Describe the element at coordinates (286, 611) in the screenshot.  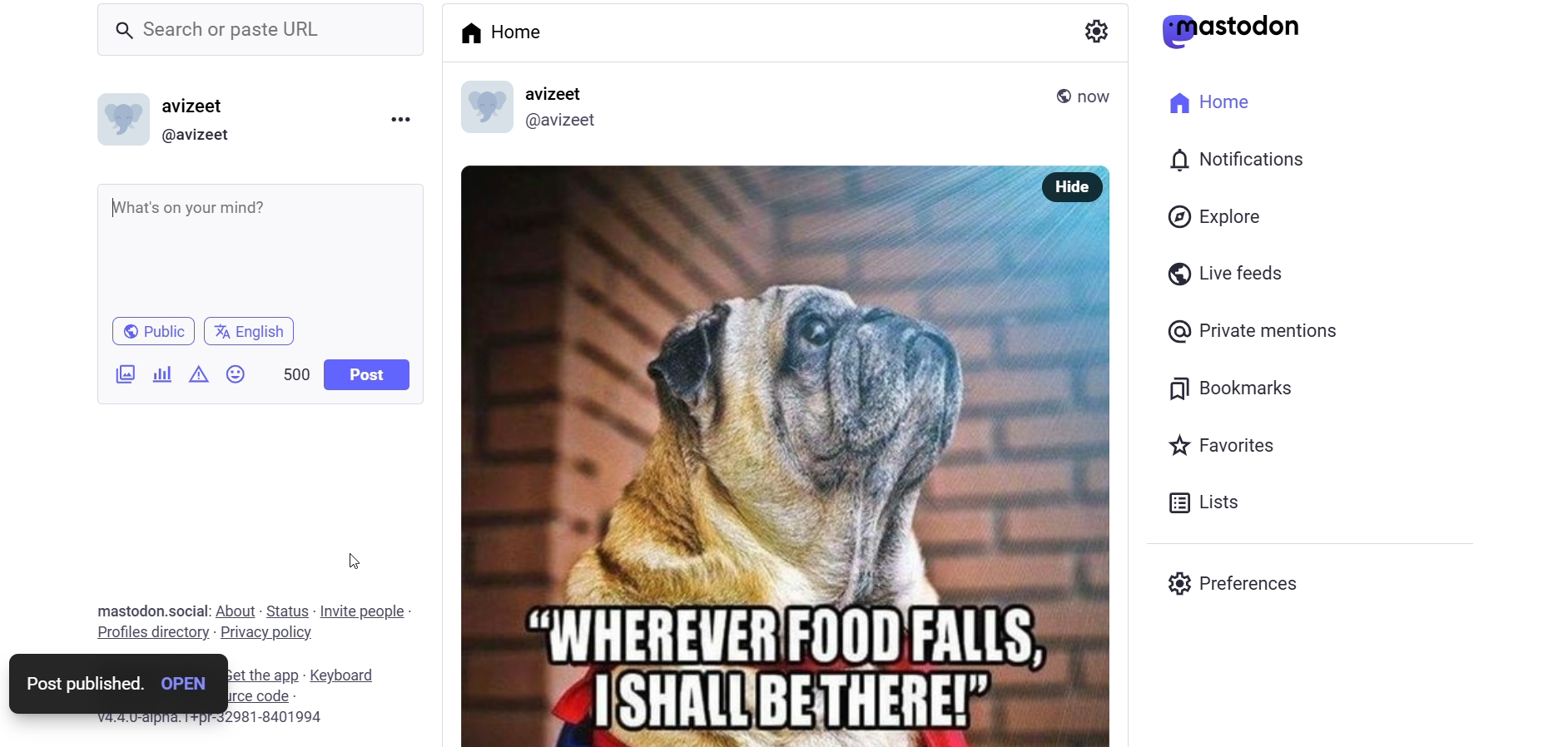
I see `status` at that location.